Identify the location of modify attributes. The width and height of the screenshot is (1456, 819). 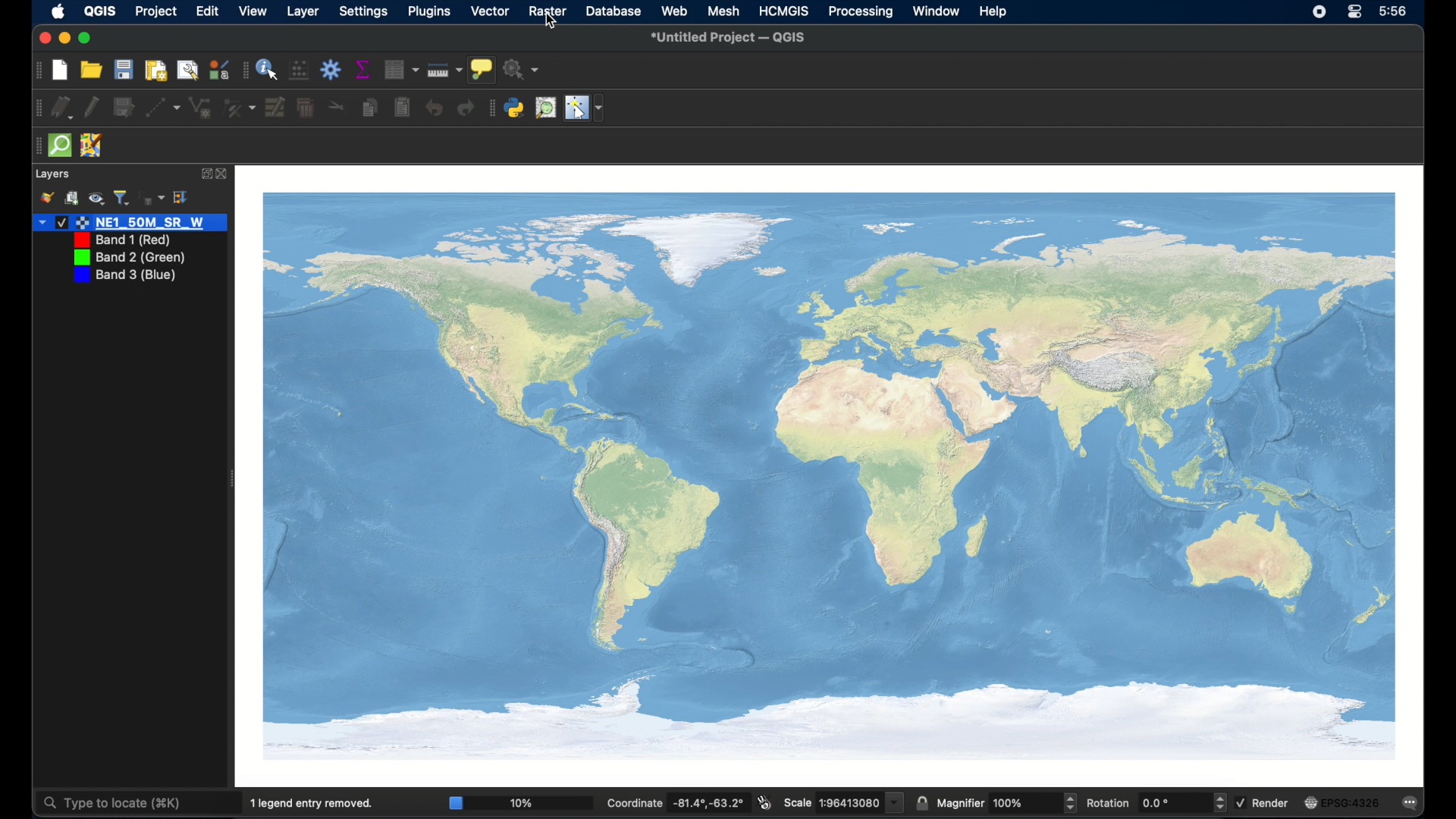
(275, 108).